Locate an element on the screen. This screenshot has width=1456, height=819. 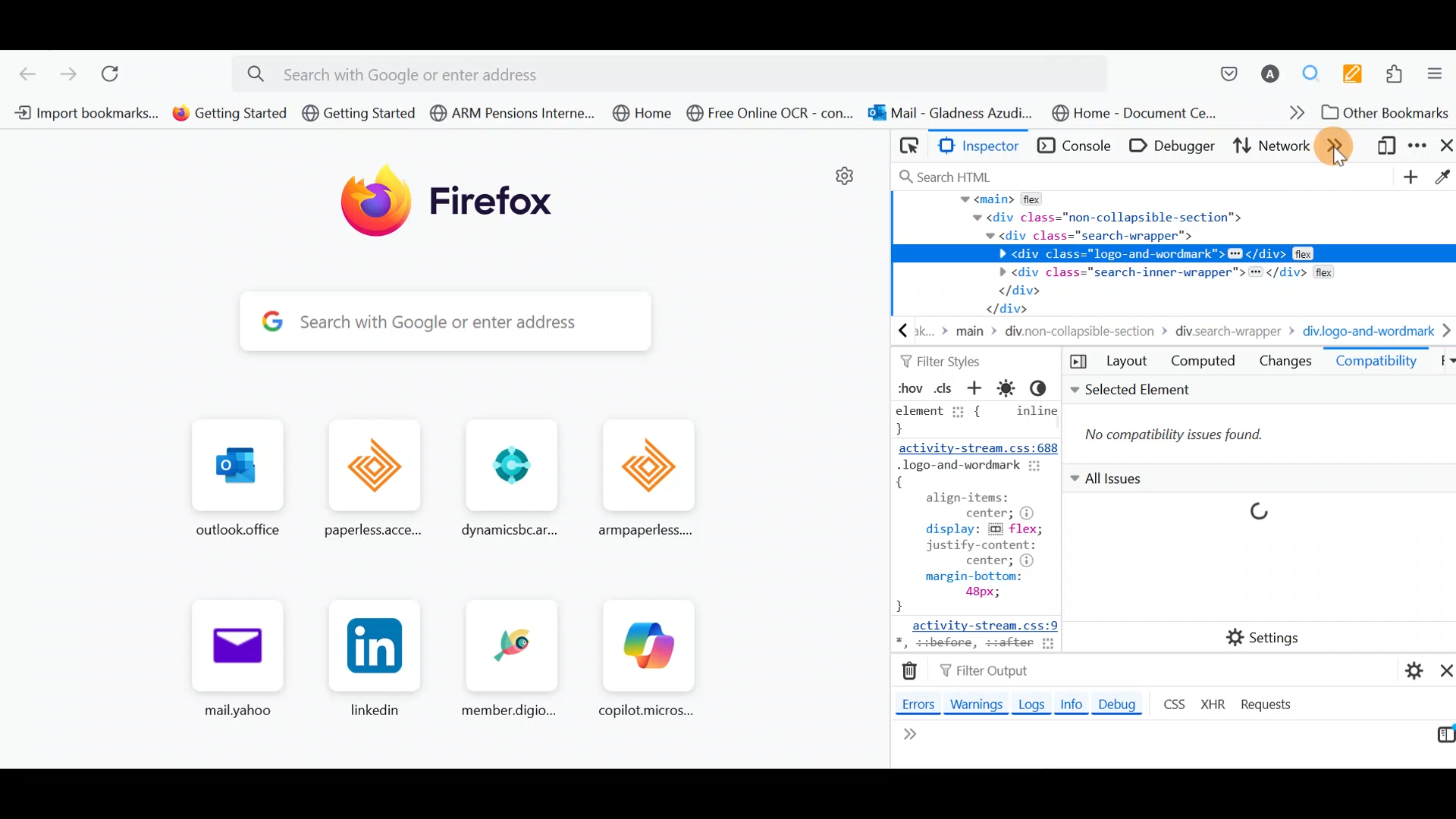
Errors is located at coordinates (914, 703).